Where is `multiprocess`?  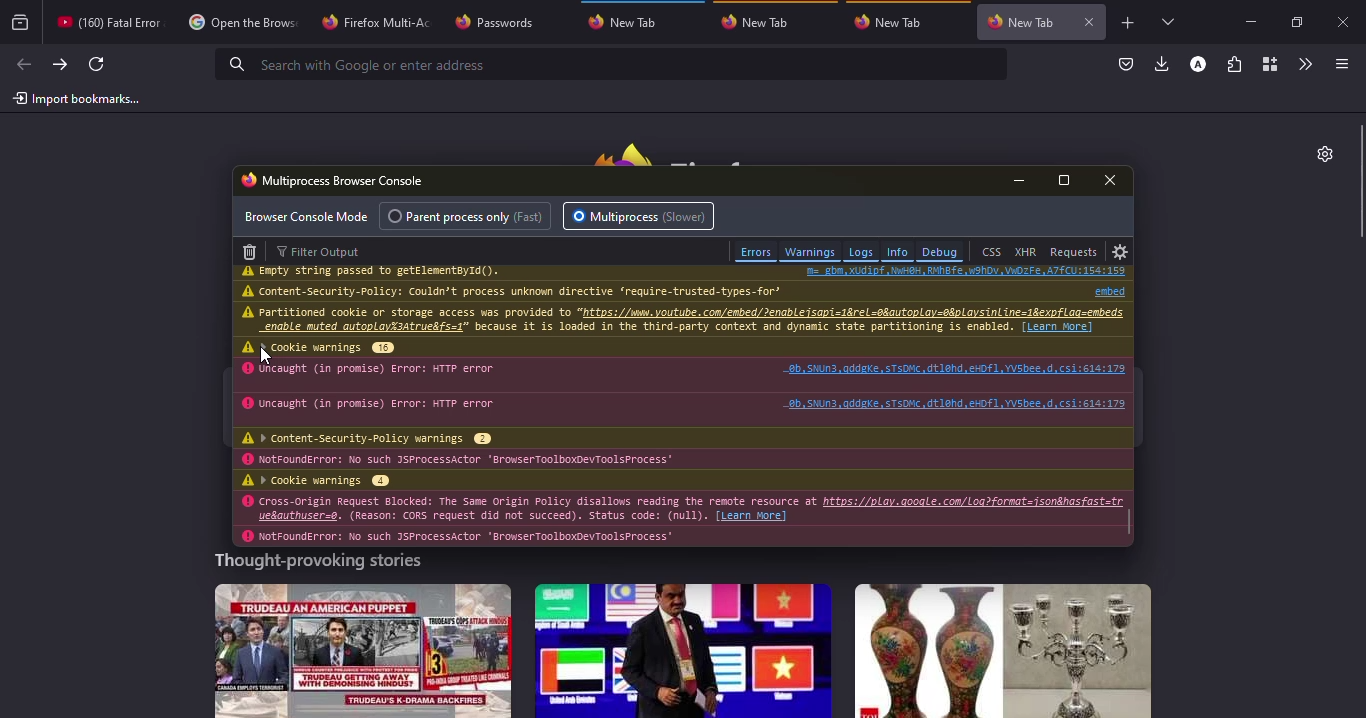 multiprocess is located at coordinates (641, 216).